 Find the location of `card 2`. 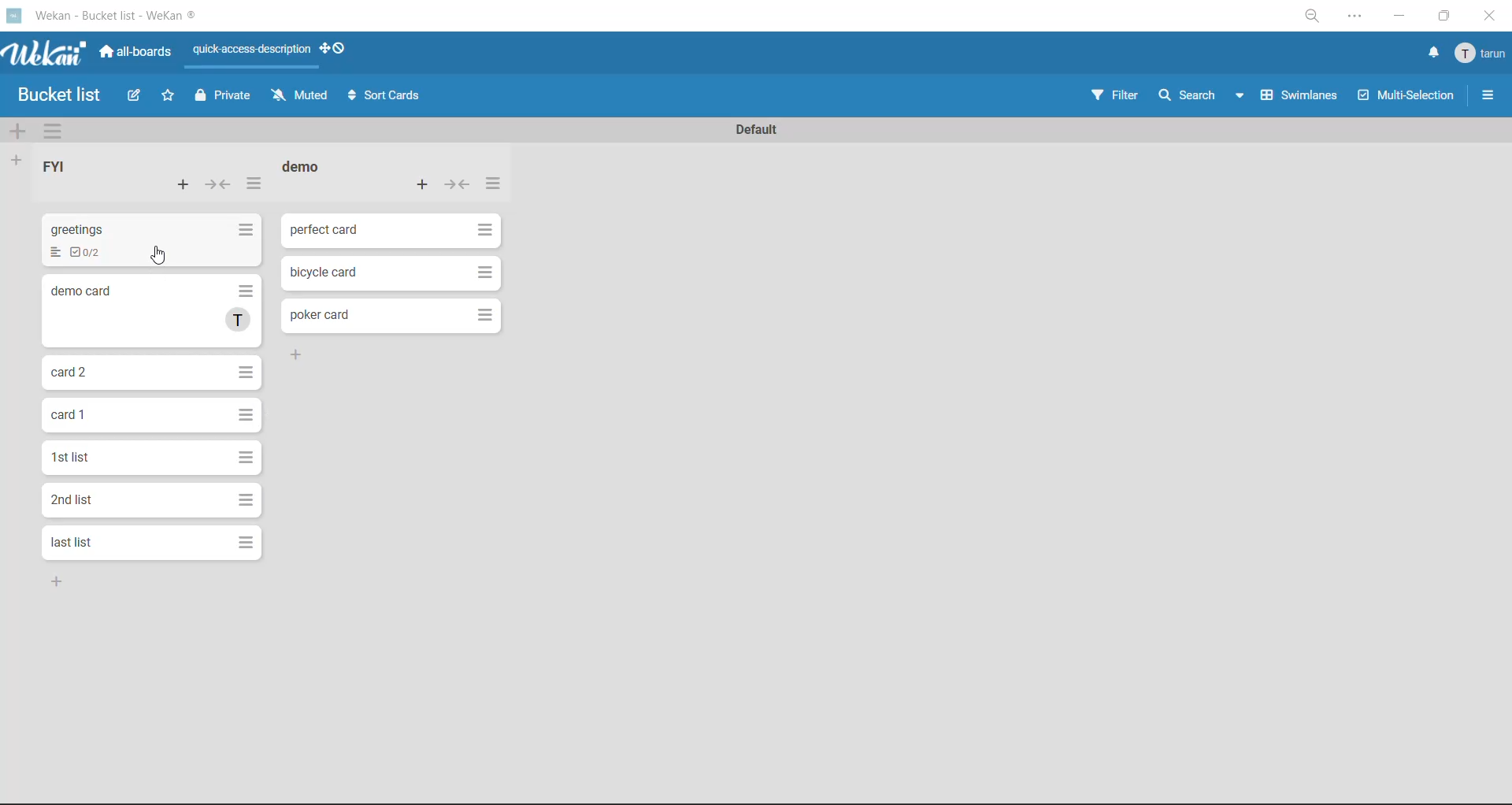

card 2 is located at coordinates (395, 274).